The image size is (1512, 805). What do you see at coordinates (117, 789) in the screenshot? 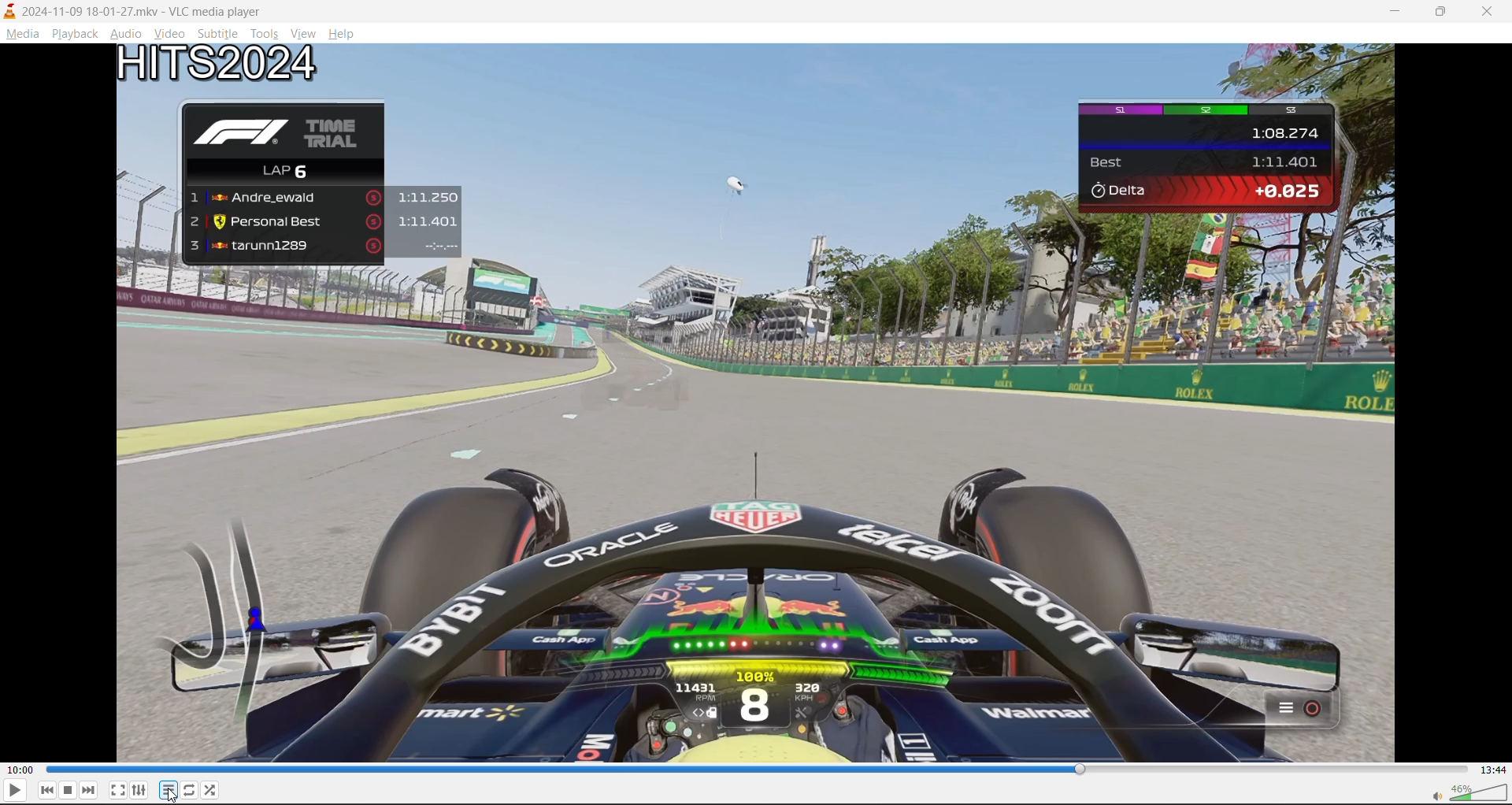
I see `fullscreen` at bounding box center [117, 789].